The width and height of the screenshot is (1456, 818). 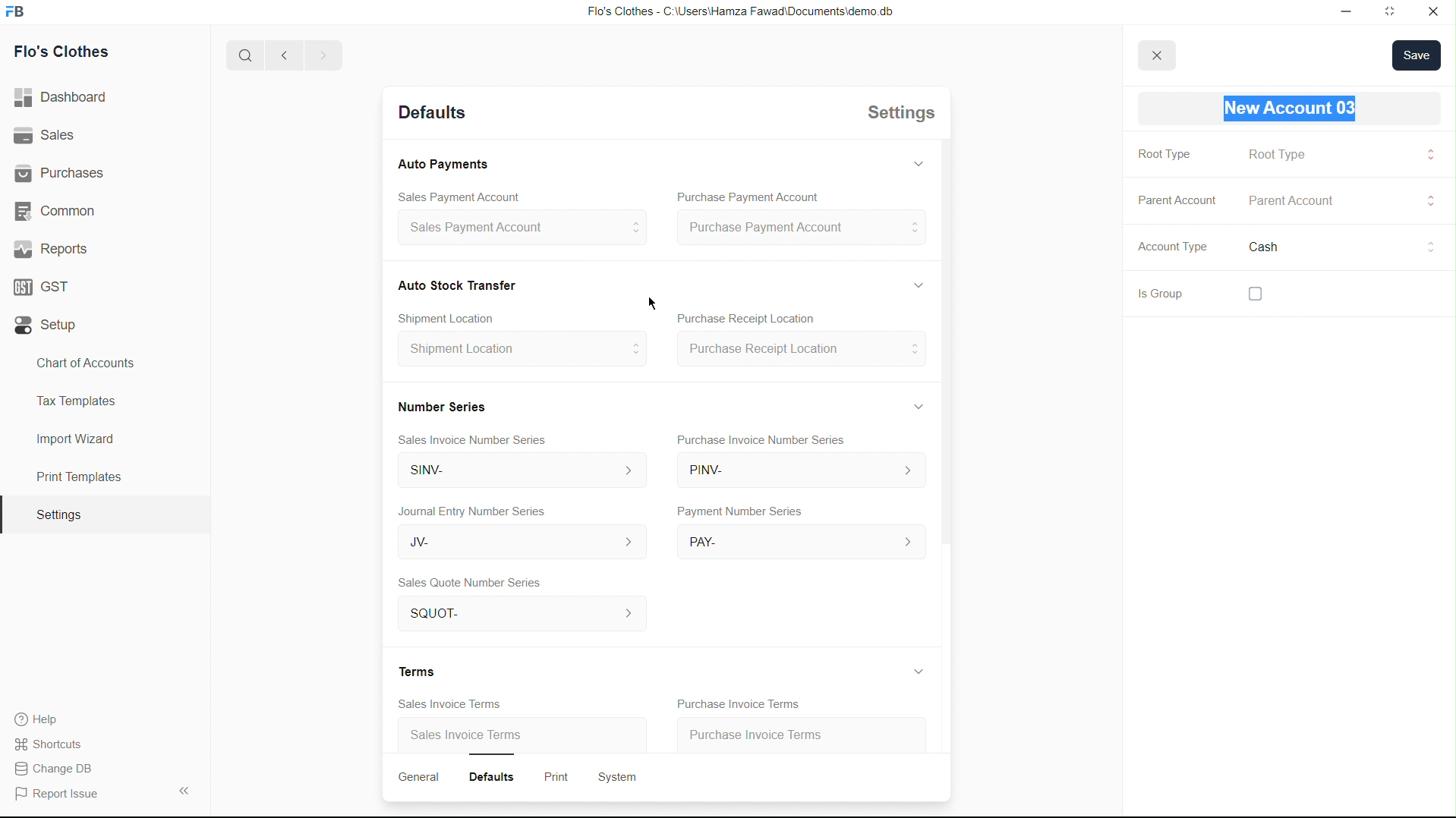 What do you see at coordinates (73, 398) in the screenshot?
I see `Tax Templates` at bounding box center [73, 398].